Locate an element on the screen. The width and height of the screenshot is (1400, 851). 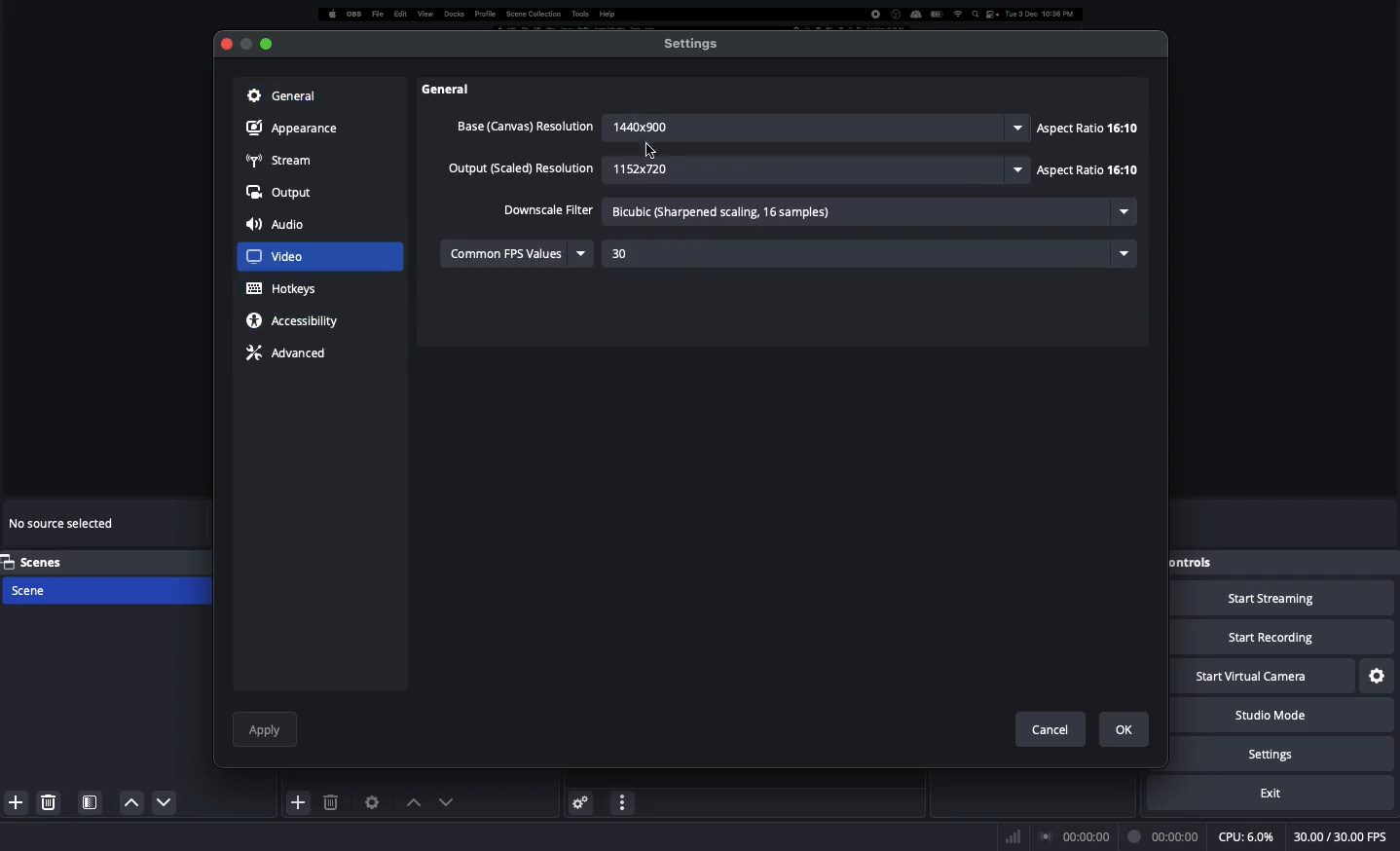
Settings is located at coordinates (1379, 674).